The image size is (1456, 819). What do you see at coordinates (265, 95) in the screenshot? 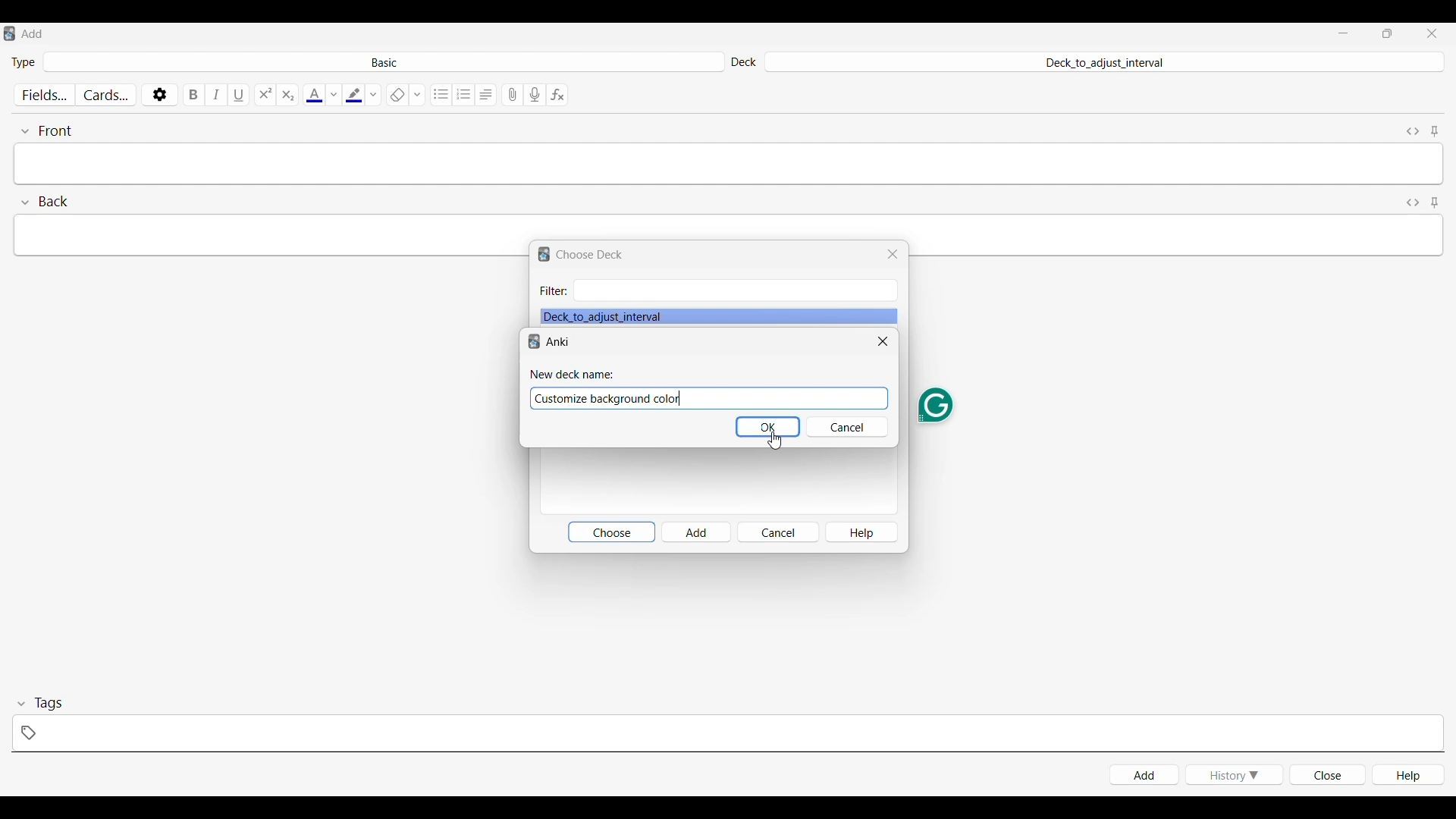
I see `Super script` at bounding box center [265, 95].